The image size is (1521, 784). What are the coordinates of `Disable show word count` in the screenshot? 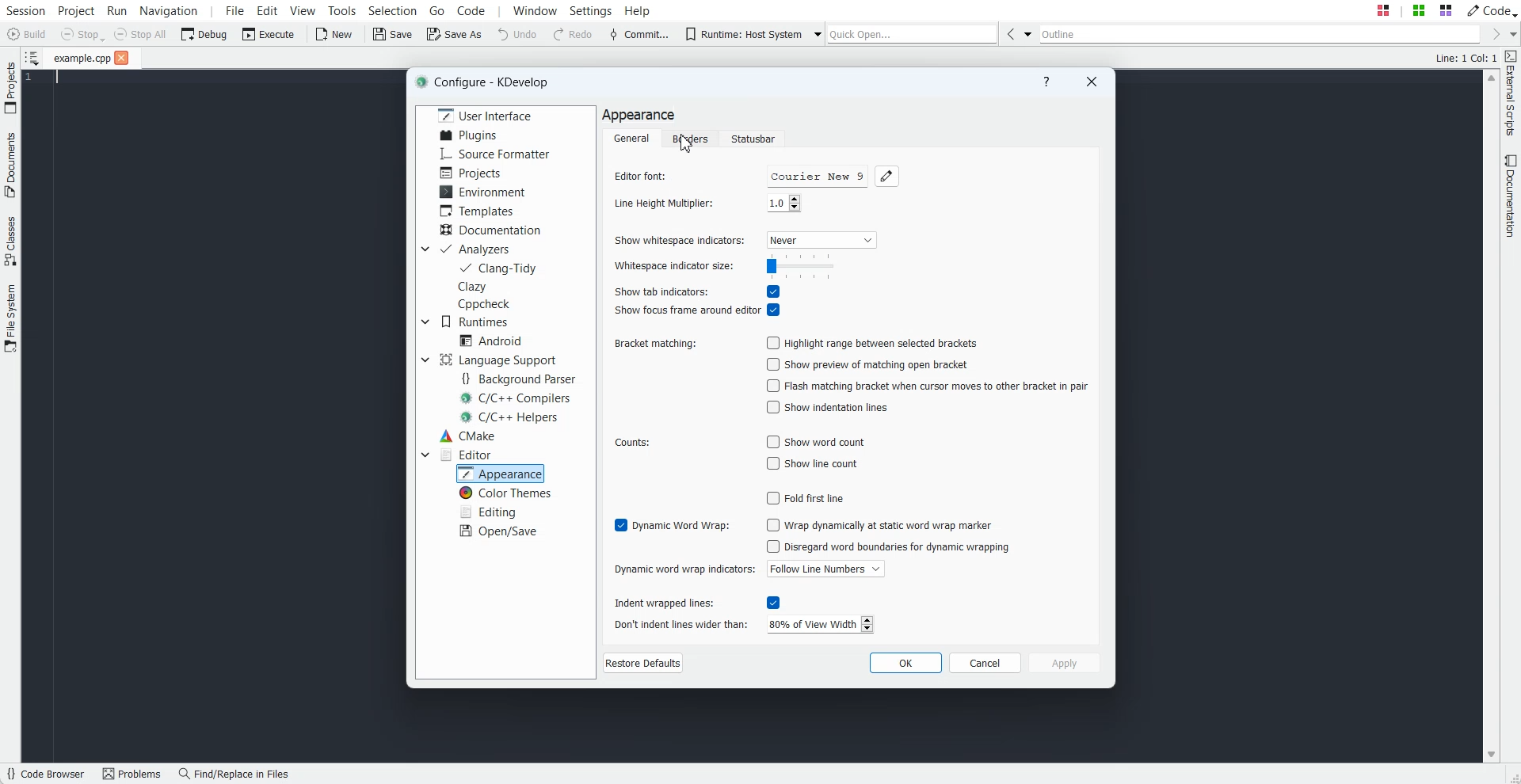 It's located at (818, 442).